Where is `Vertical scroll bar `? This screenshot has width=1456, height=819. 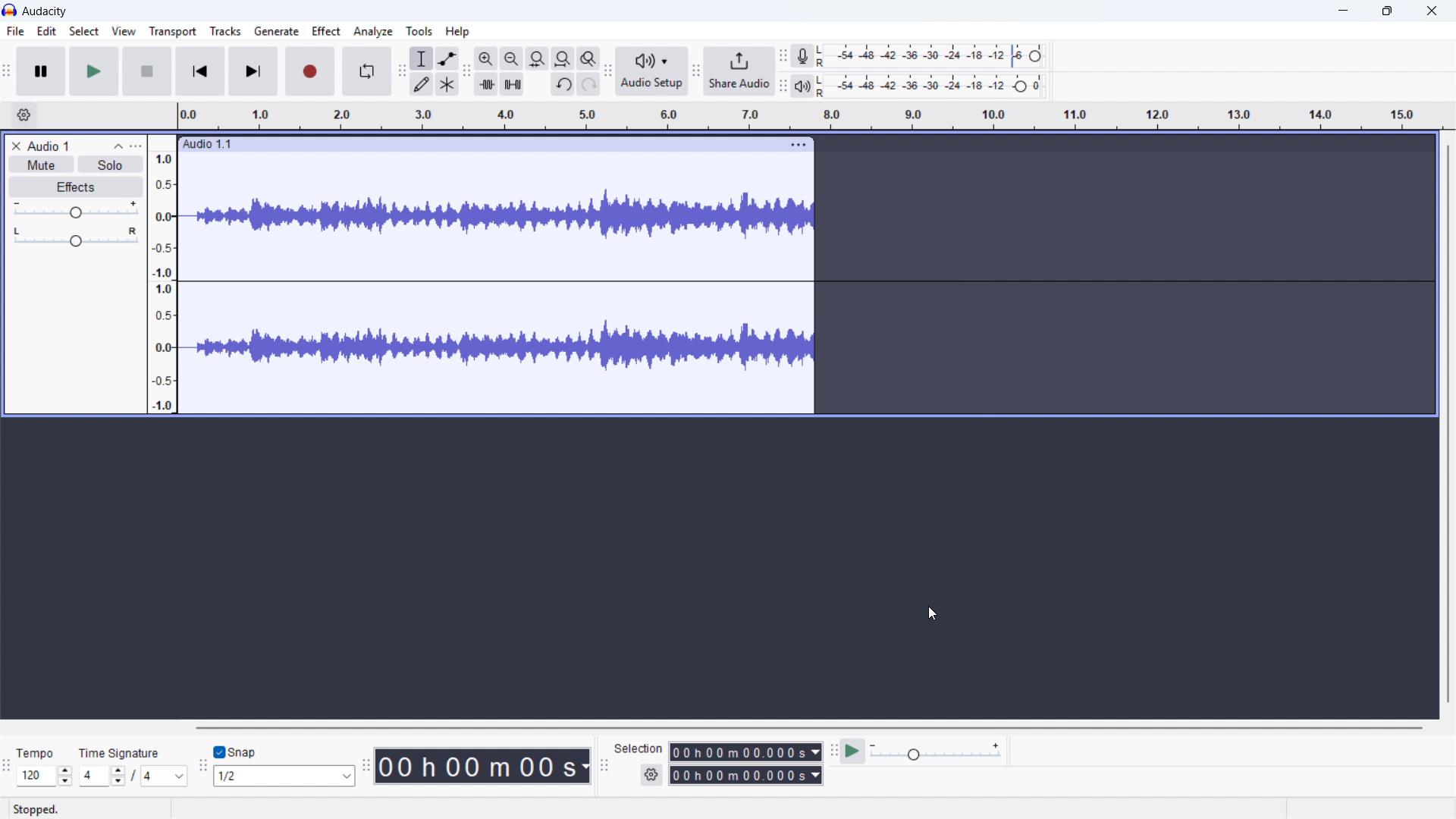
Vertical scroll bar  is located at coordinates (1448, 424).